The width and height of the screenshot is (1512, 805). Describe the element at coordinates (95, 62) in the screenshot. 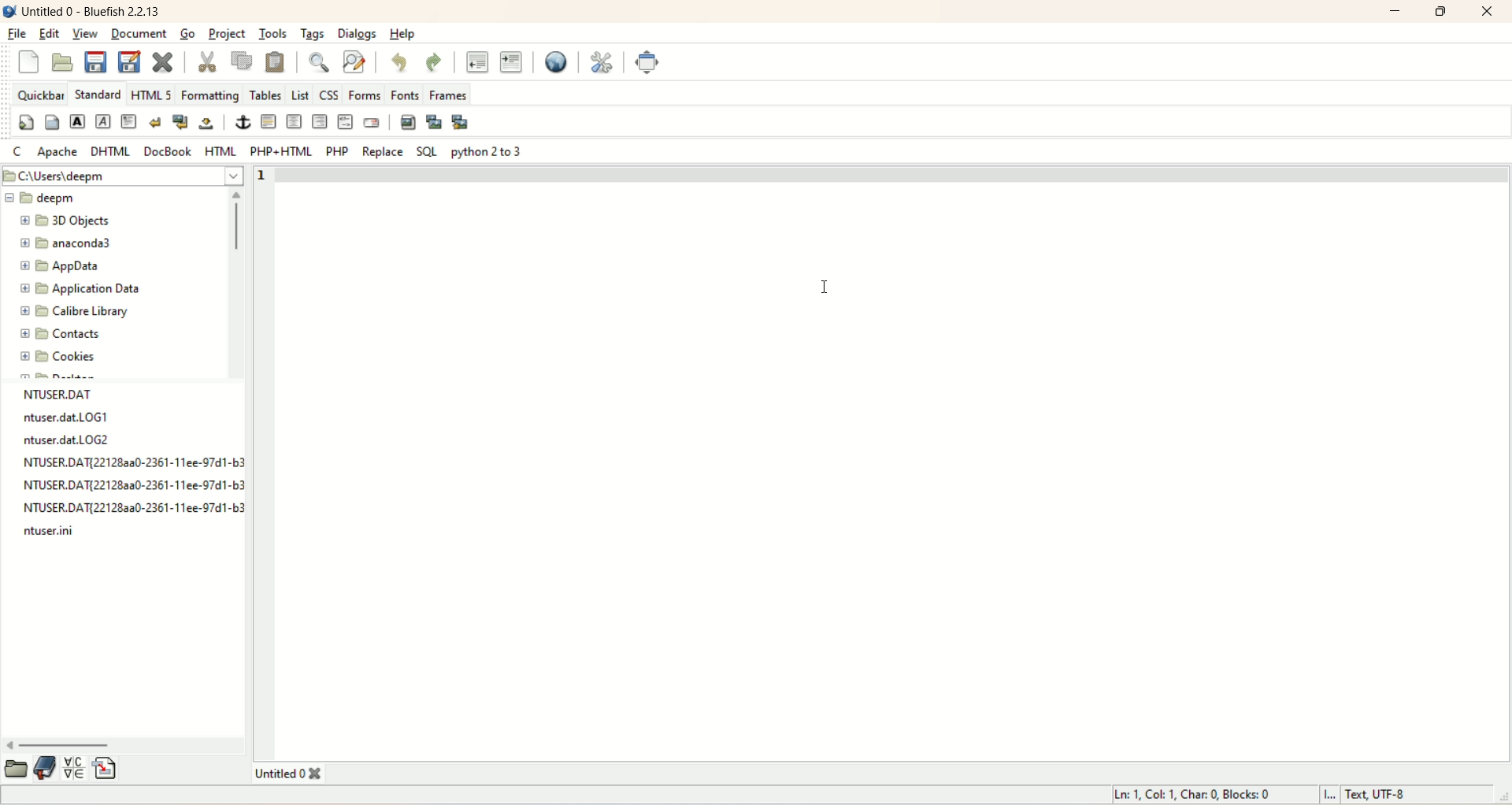

I see `save current file` at that location.